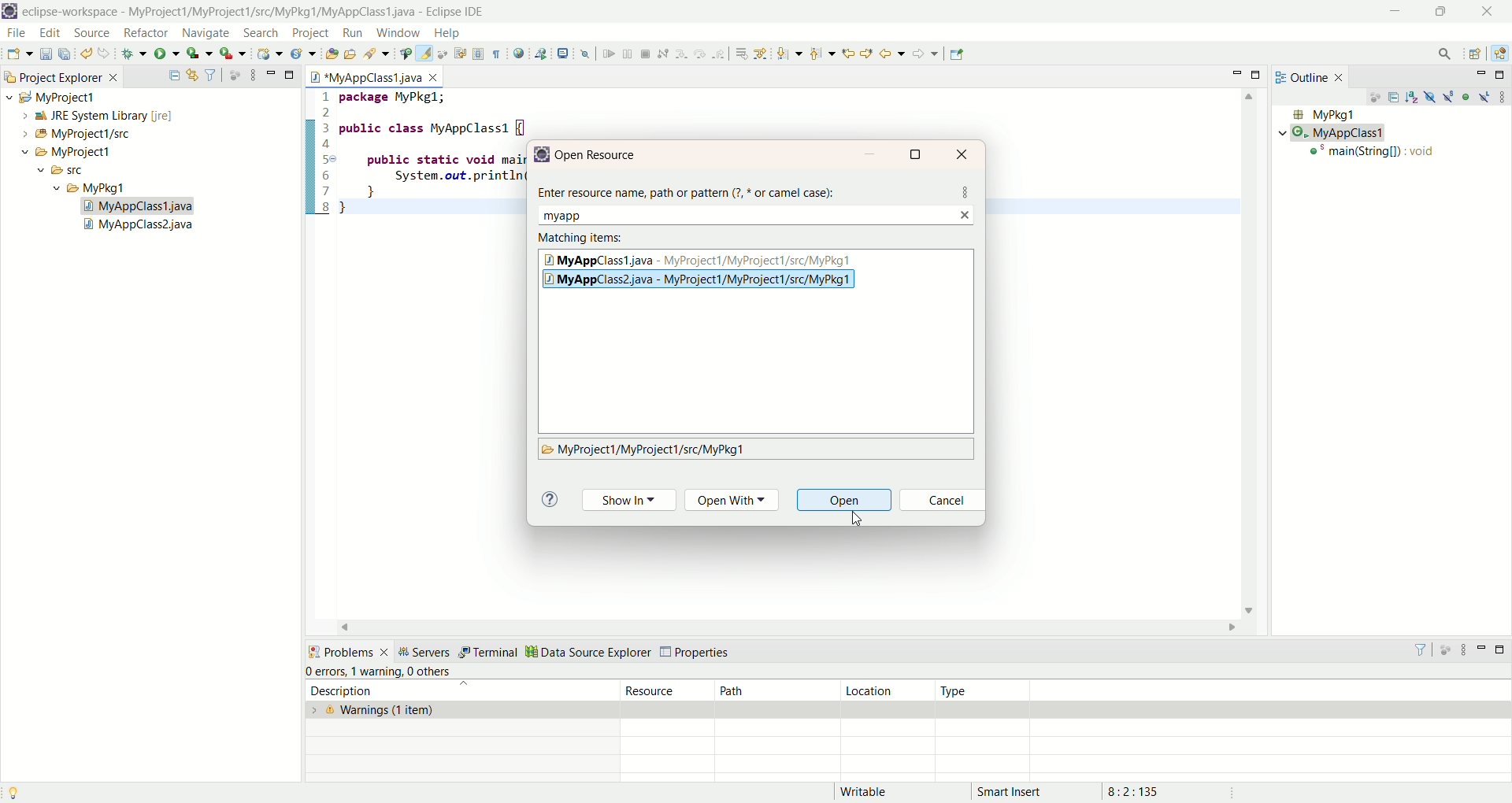 The height and width of the screenshot is (803, 1512). What do you see at coordinates (262, 32) in the screenshot?
I see `search` at bounding box center [262, 32].